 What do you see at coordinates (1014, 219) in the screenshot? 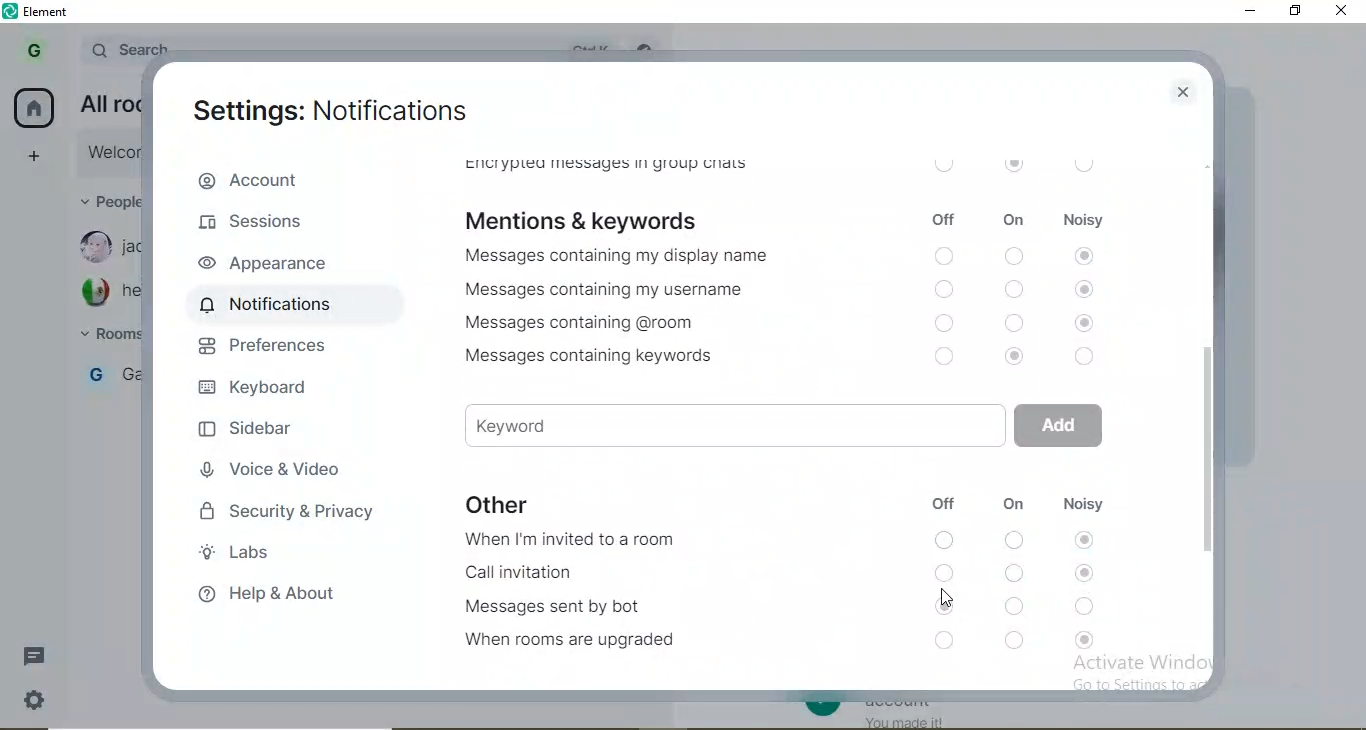
I see `on` at bounding box center [1014, 219].